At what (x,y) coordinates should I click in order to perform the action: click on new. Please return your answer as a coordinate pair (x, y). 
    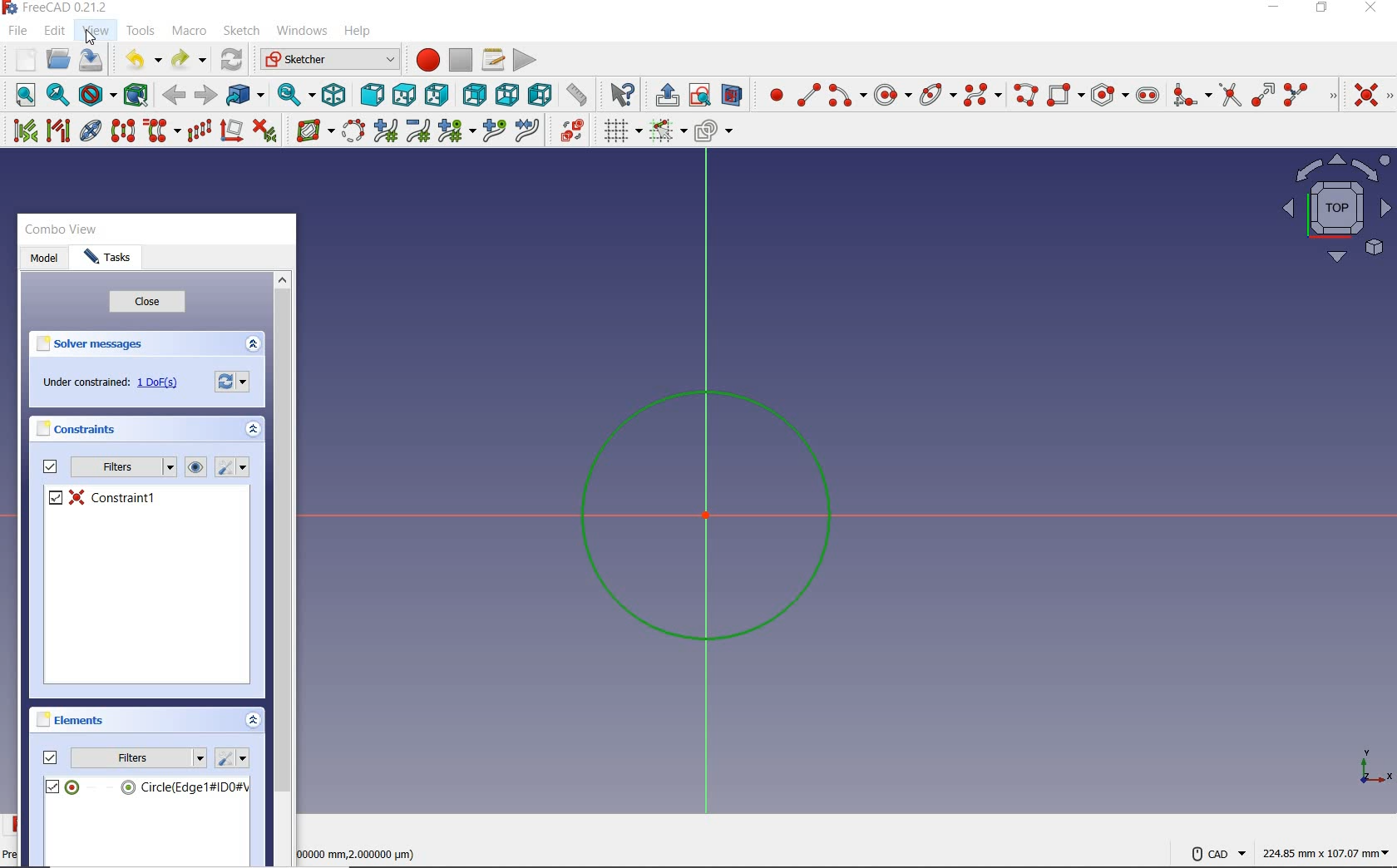
    Looking at the image, I should click on (21, 58).